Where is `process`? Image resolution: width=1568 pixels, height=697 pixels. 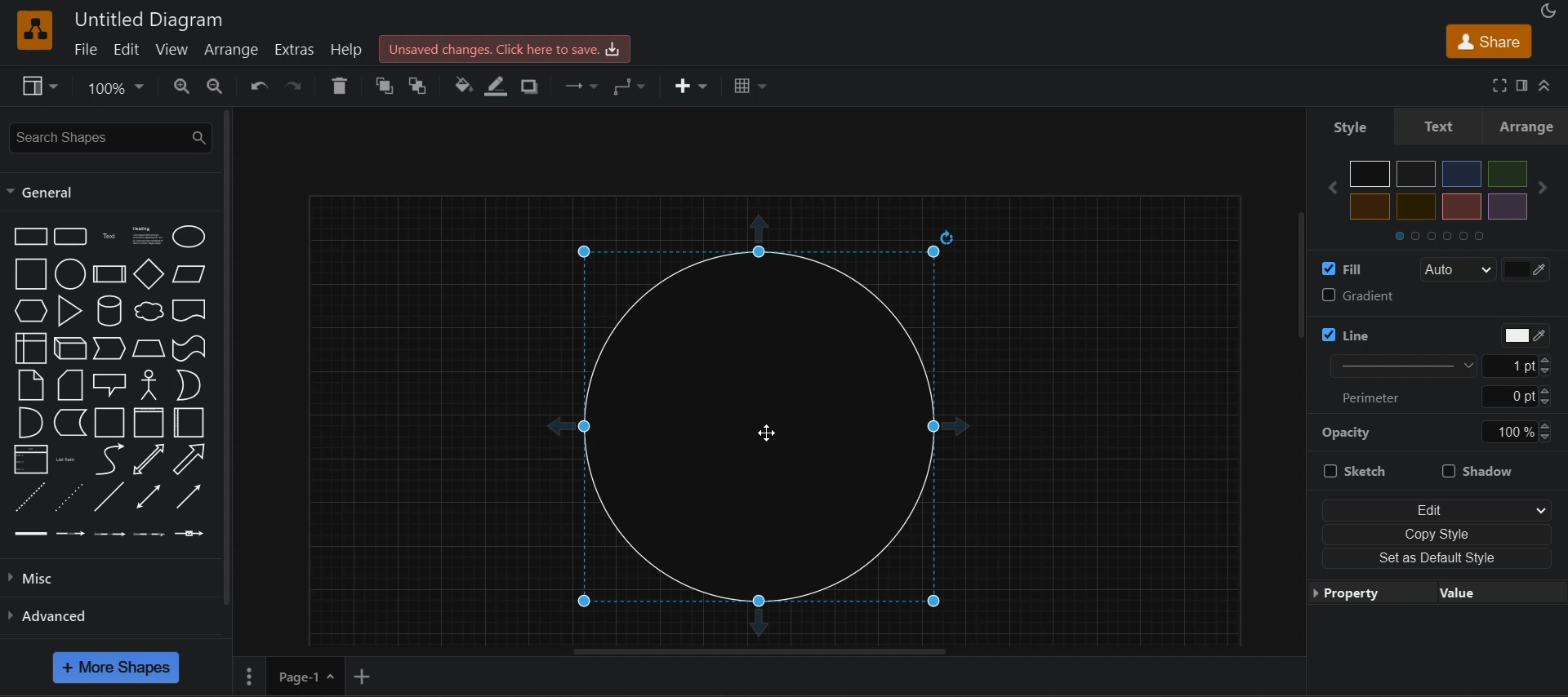
process is located at coordinates (112, 275).